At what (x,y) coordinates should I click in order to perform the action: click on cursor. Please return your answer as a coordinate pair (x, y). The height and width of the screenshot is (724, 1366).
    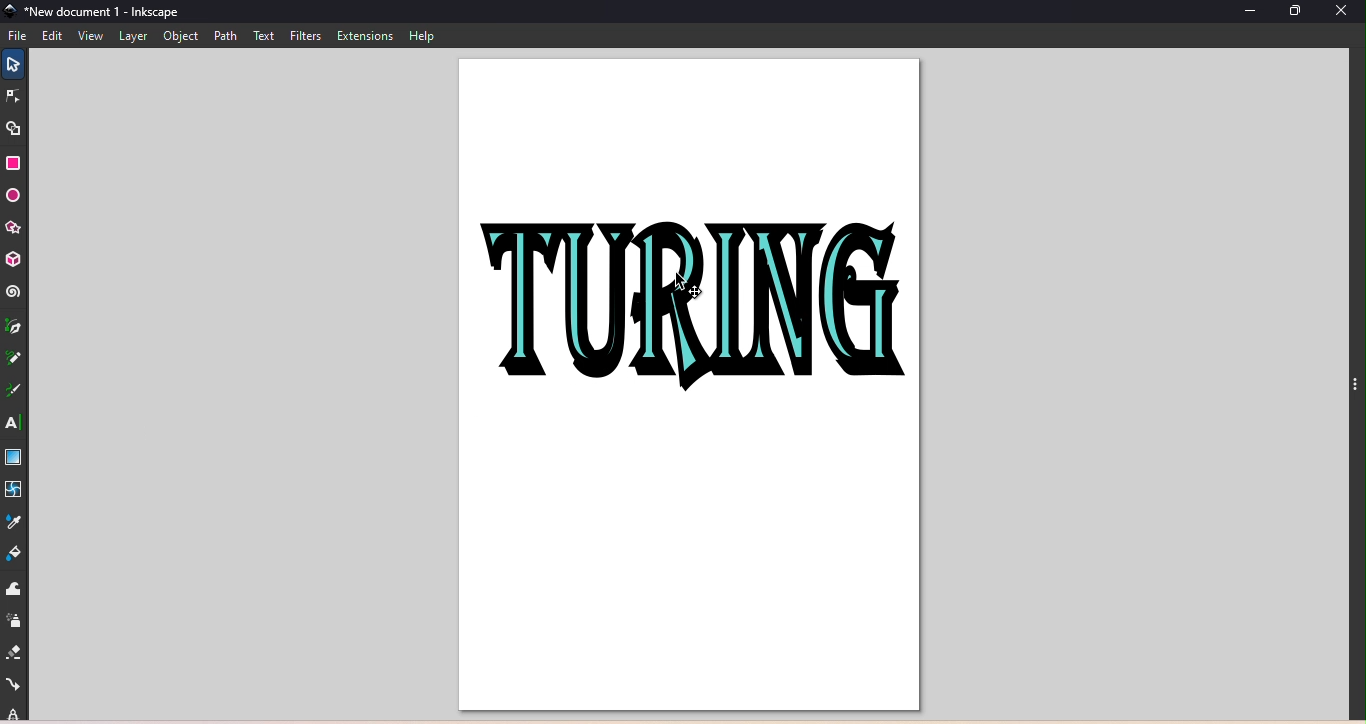
    Looking at the image, I should click on (691, 287).